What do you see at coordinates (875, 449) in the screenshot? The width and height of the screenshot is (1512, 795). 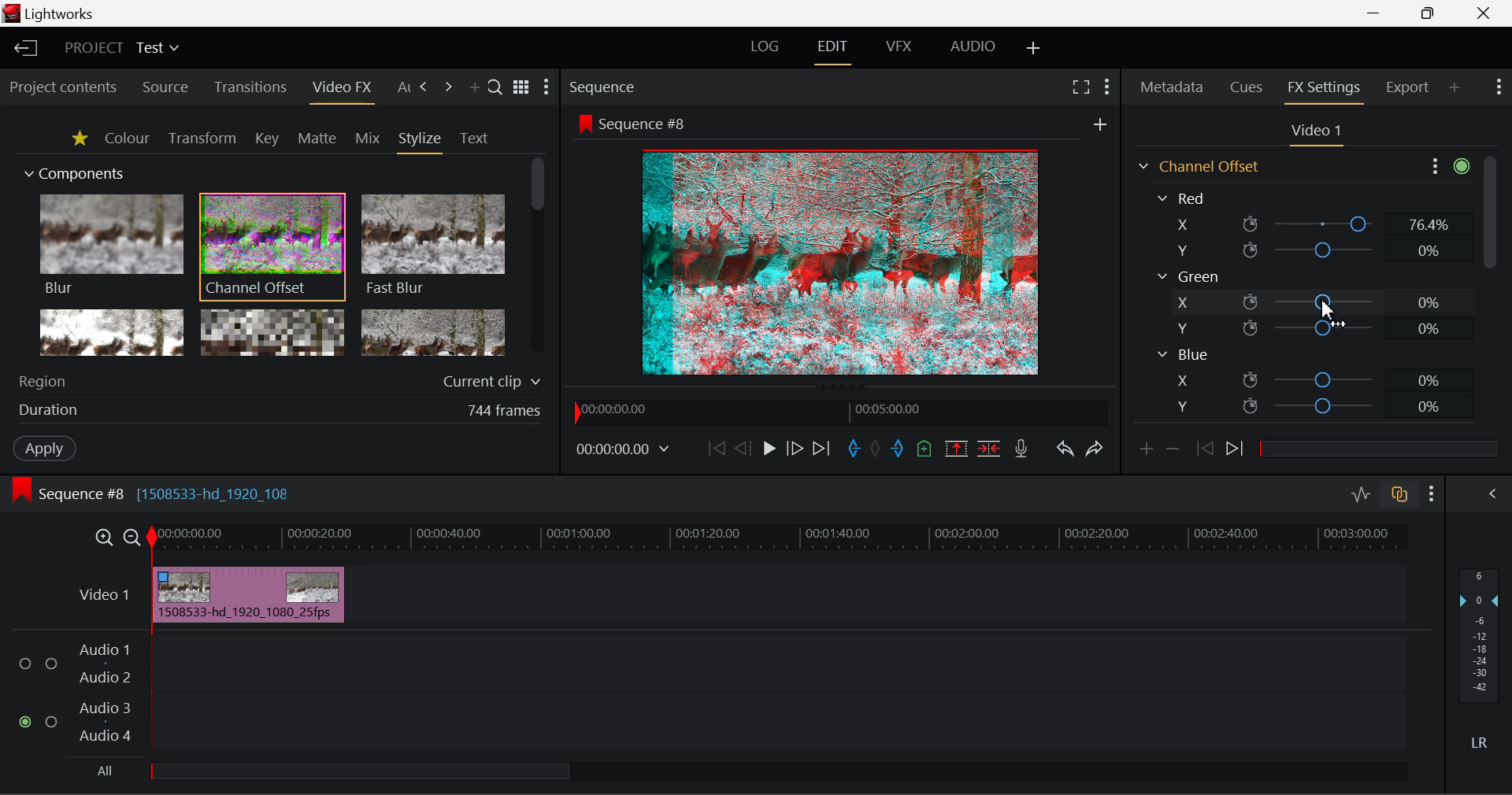 I see `Remove All Marks` at bounding box center [875, 449].